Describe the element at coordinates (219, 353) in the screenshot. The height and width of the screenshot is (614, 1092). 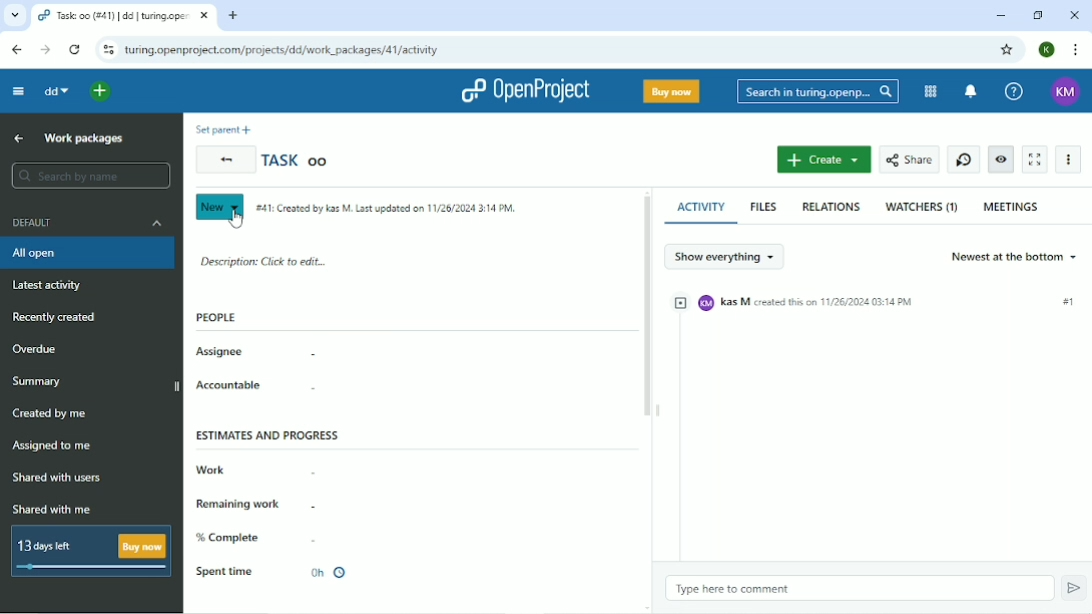
I see `Assignee` at that location.